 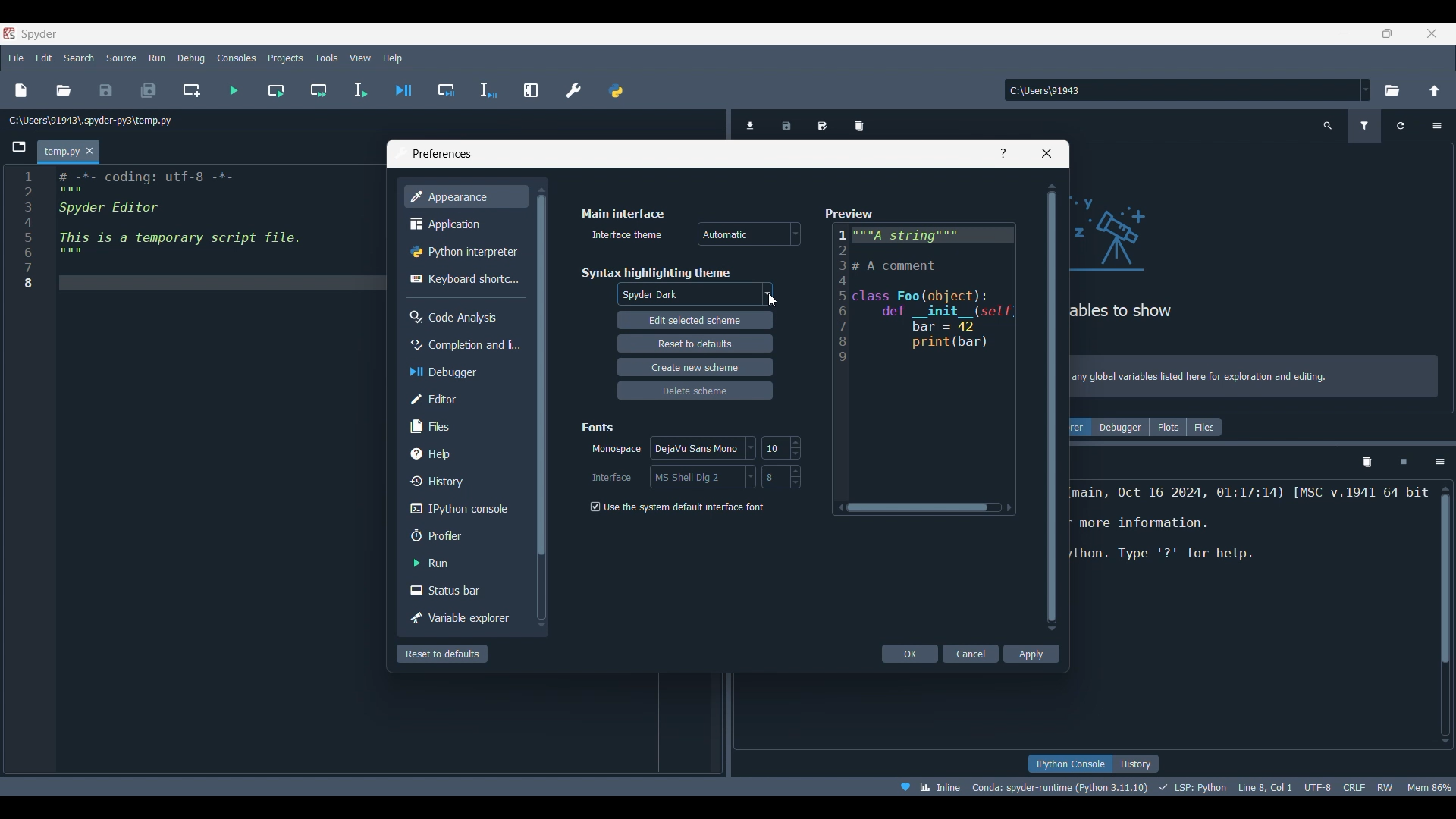 I want to click on crlf, so click(x=1354, y=786).